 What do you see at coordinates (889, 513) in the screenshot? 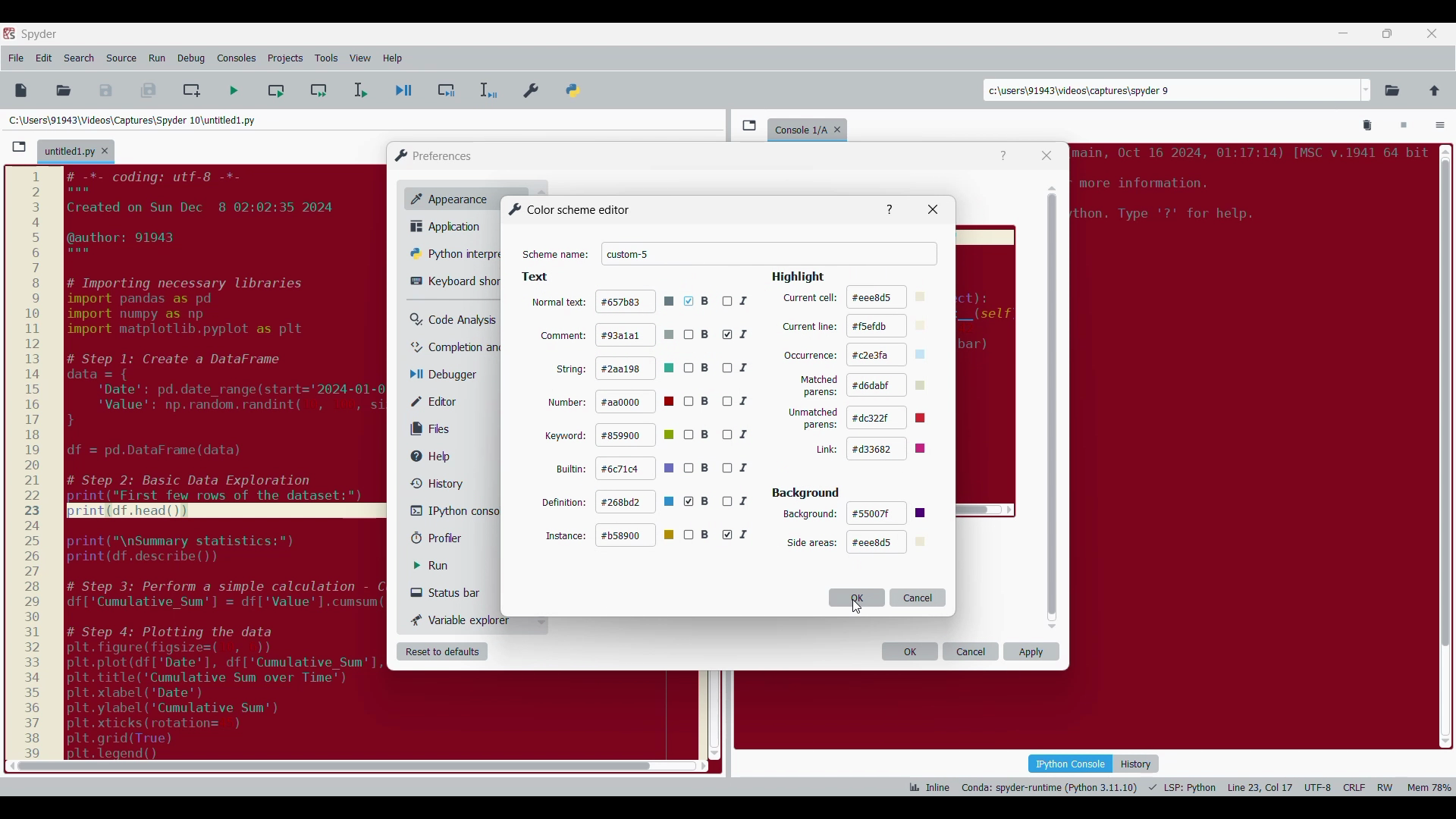
I see `#88121e` at bounding box center [889, 513].